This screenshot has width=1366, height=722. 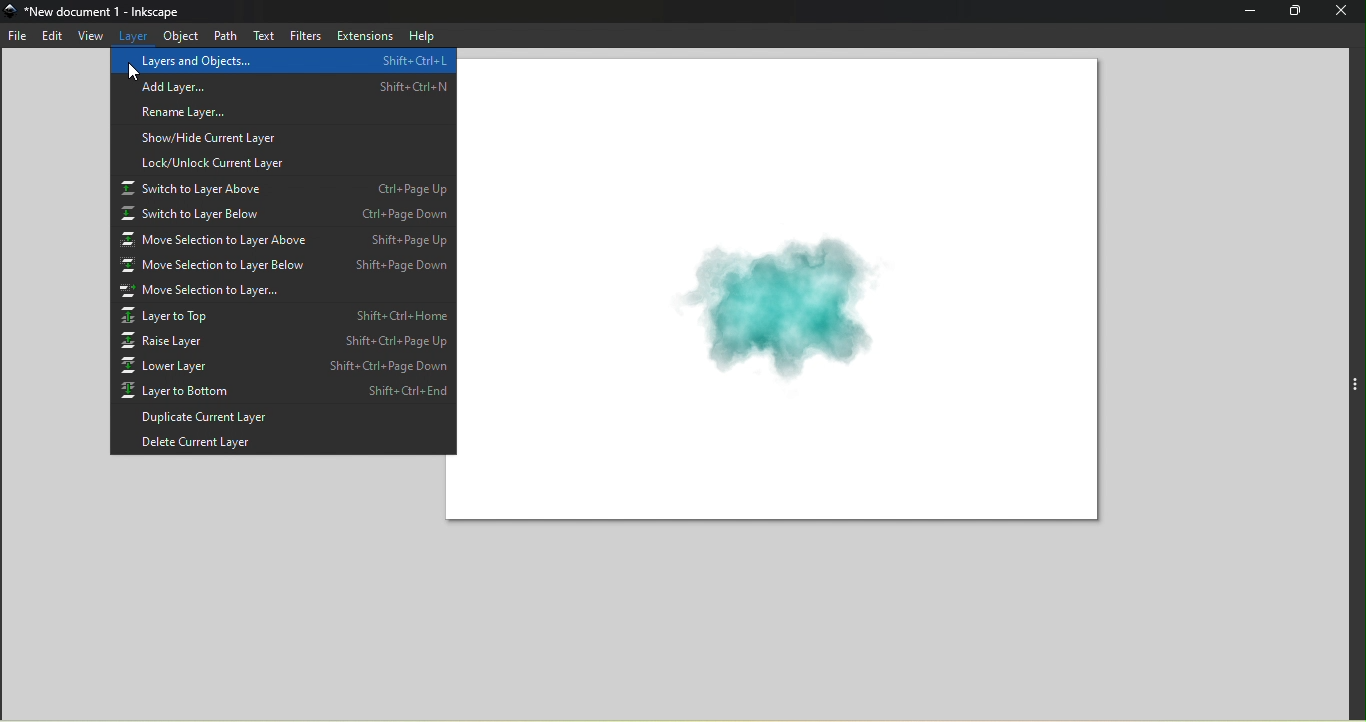 I want to click on Show/Hide Current Layer, so click(x=284, y=136).